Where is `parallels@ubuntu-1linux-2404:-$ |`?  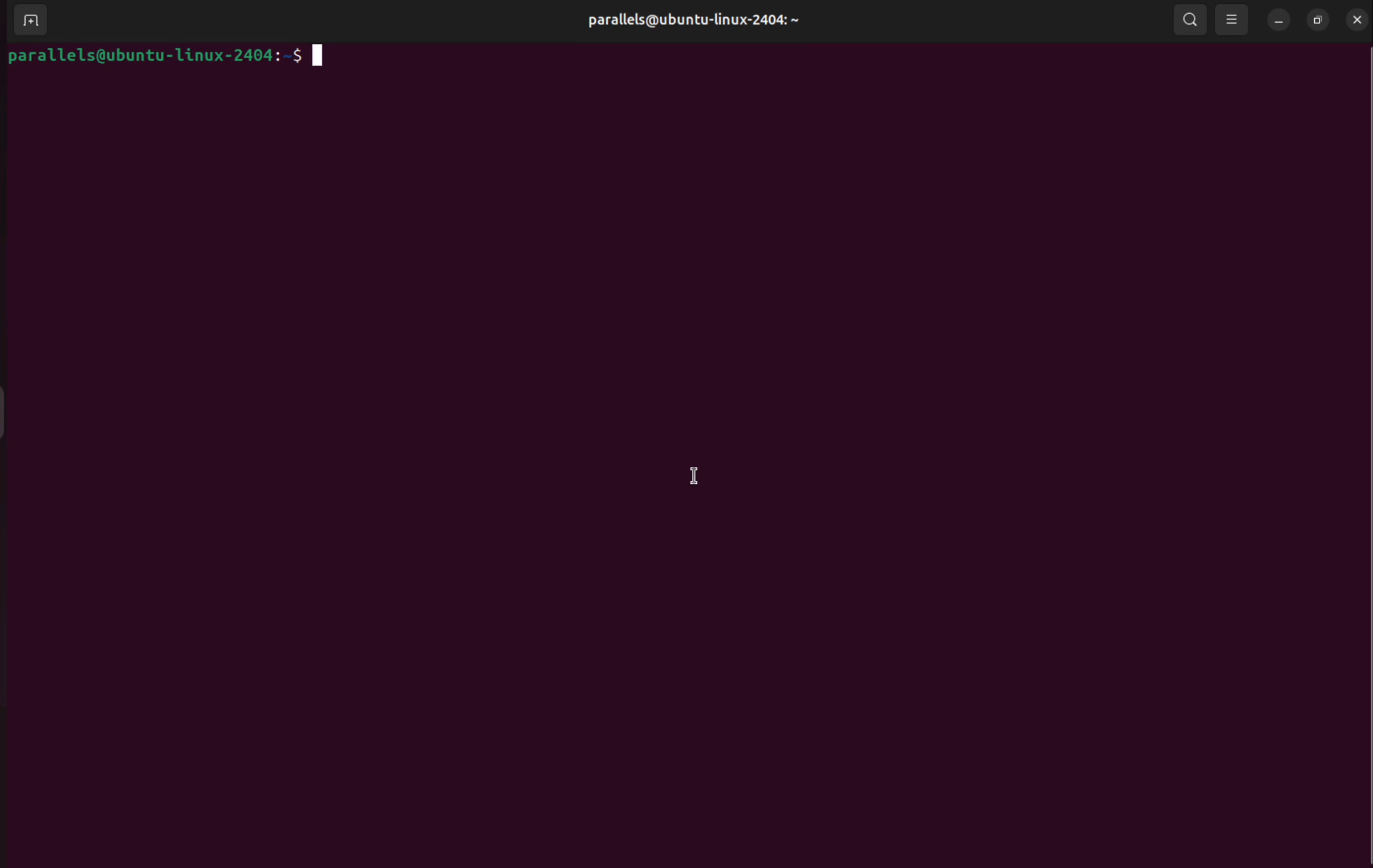
parallels@ubuntu-1linux-2404:-$ | is located at coordinates (181, 62).